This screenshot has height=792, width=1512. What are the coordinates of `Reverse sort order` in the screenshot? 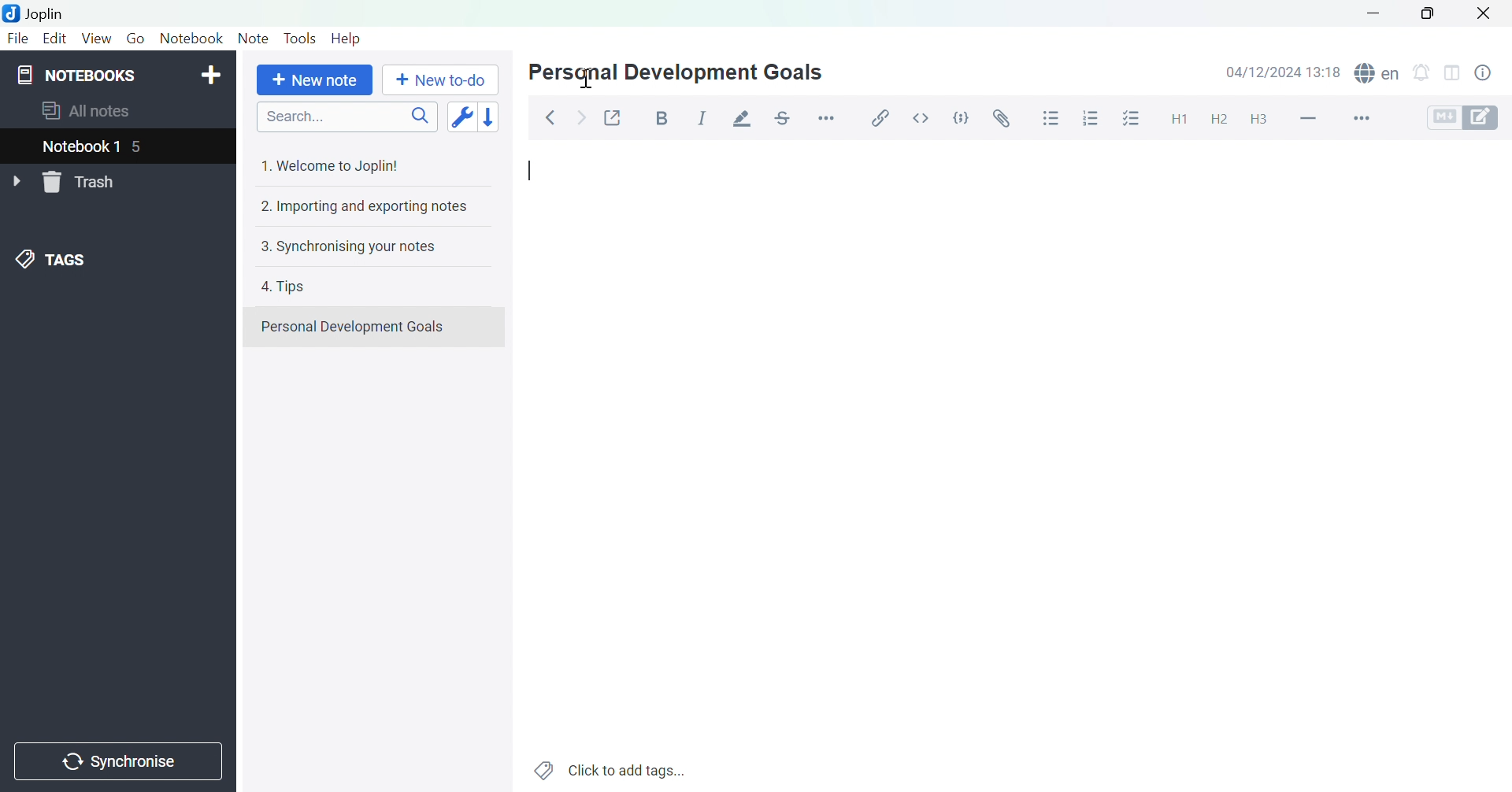 It's located at (490, 116).